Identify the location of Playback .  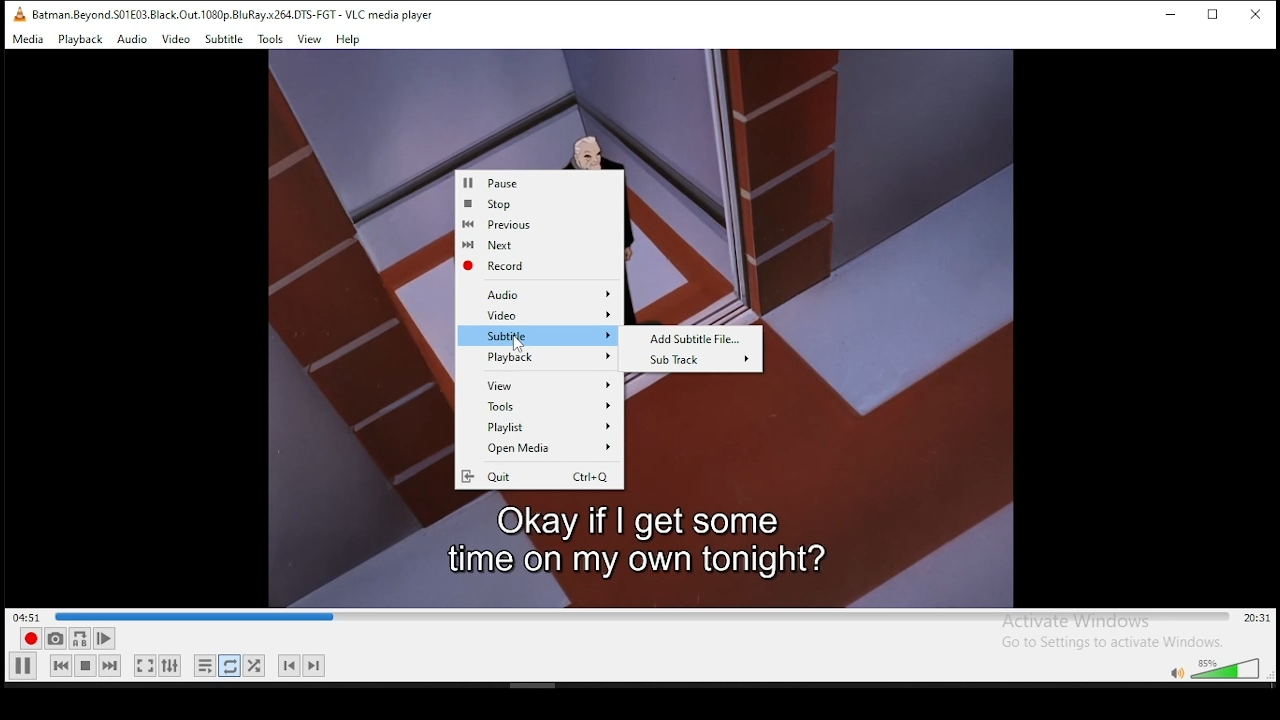
(542, 358).